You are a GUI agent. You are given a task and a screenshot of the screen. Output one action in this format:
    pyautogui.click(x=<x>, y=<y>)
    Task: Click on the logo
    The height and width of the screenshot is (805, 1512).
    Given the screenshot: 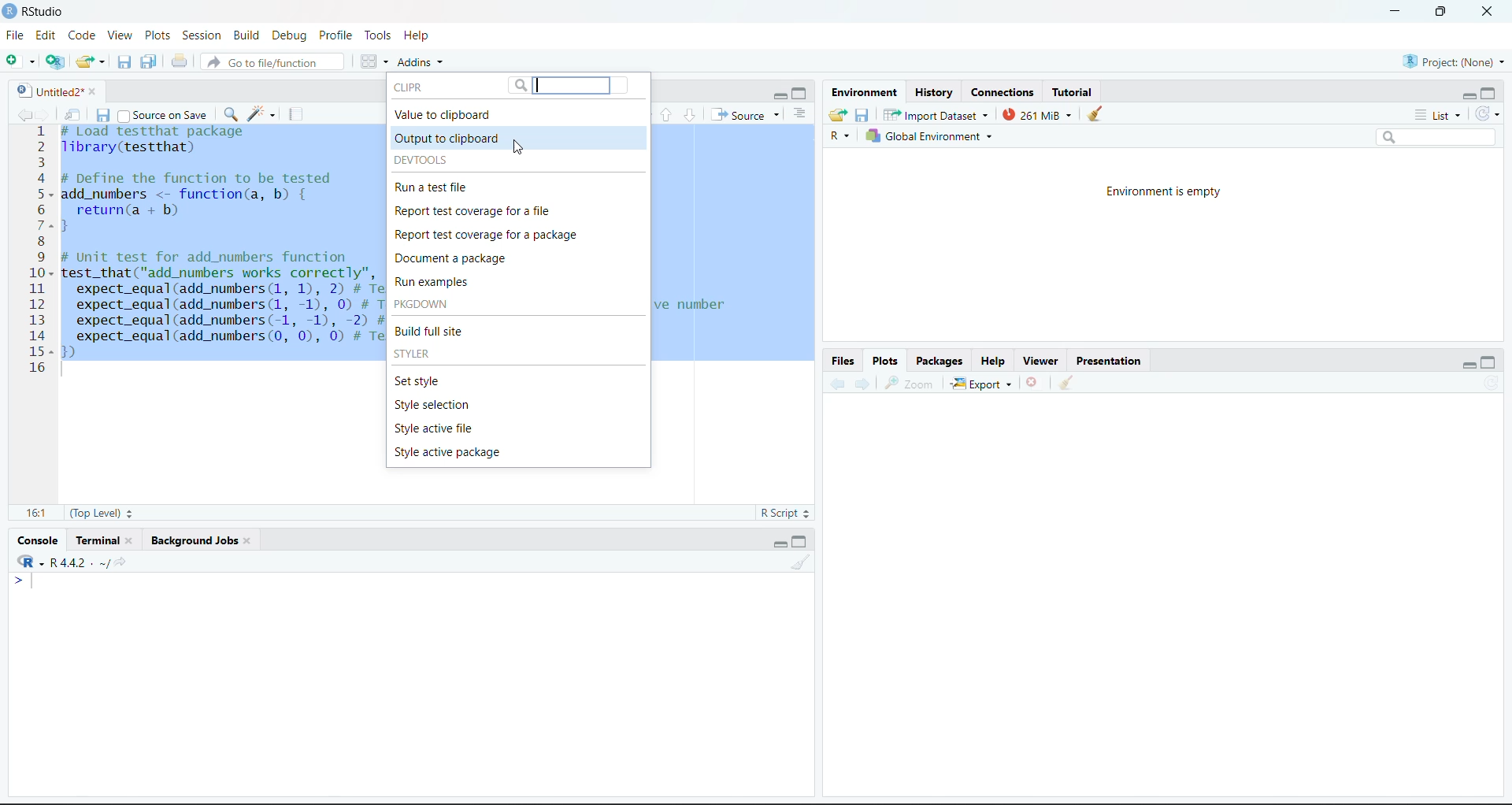 What is the action you would take?
    pyautogui.click(x=9, y=11)
    